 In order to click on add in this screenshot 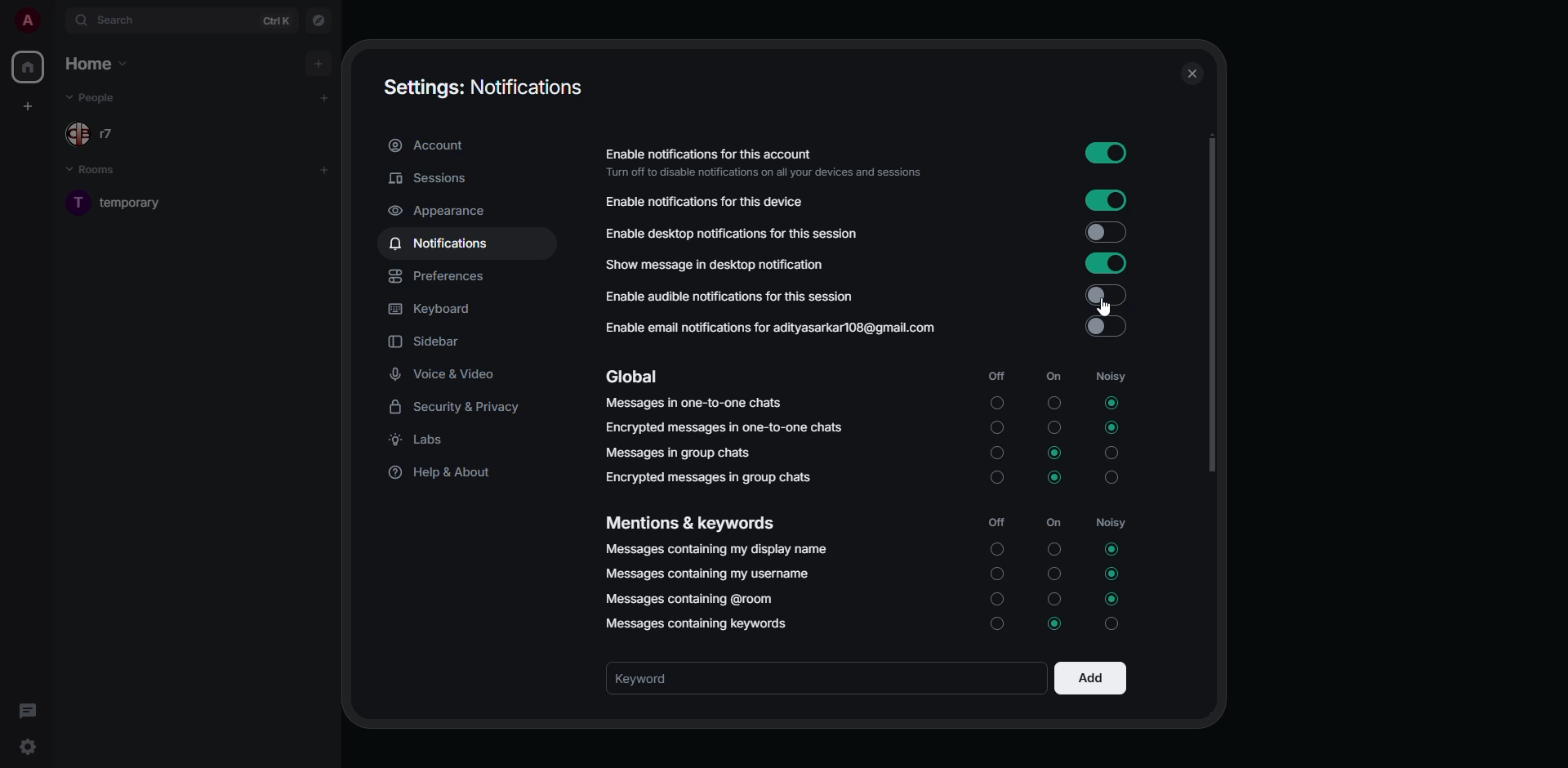, I will do `click(320, 65)`.